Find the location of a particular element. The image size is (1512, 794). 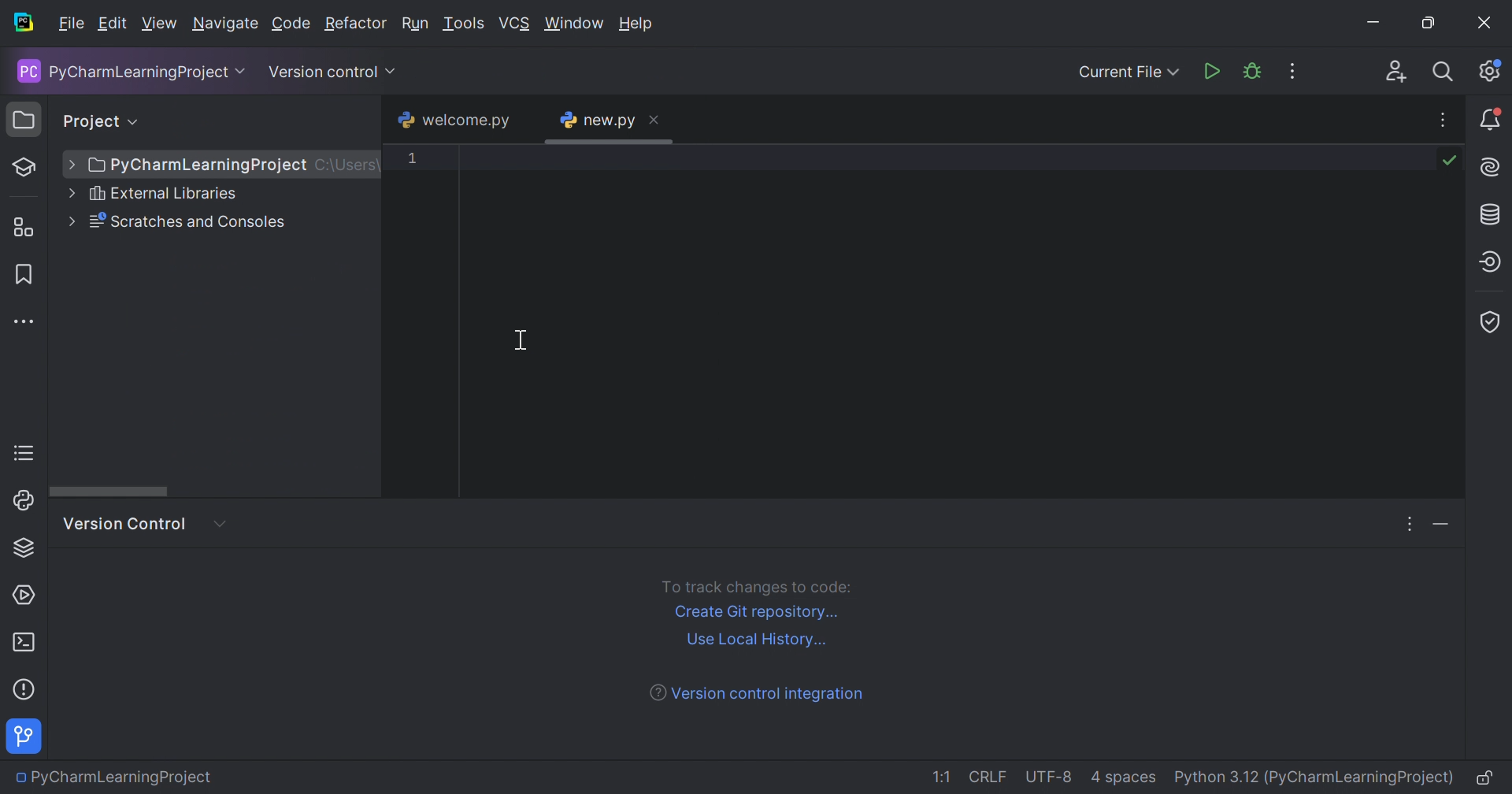

Help is located at coordinates (23, 689).